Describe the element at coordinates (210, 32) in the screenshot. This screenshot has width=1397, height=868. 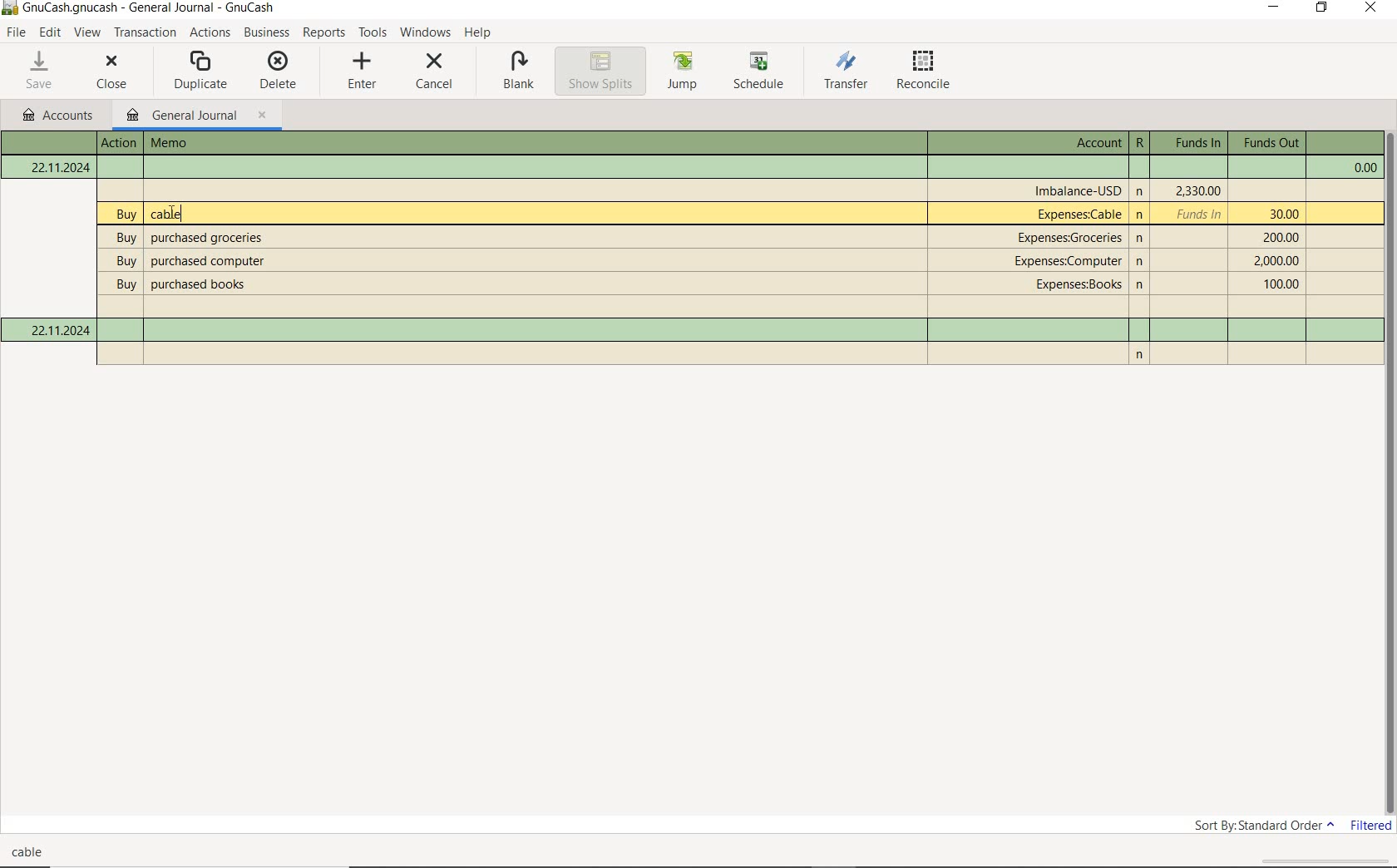
I see `ACTIONS` at that location.